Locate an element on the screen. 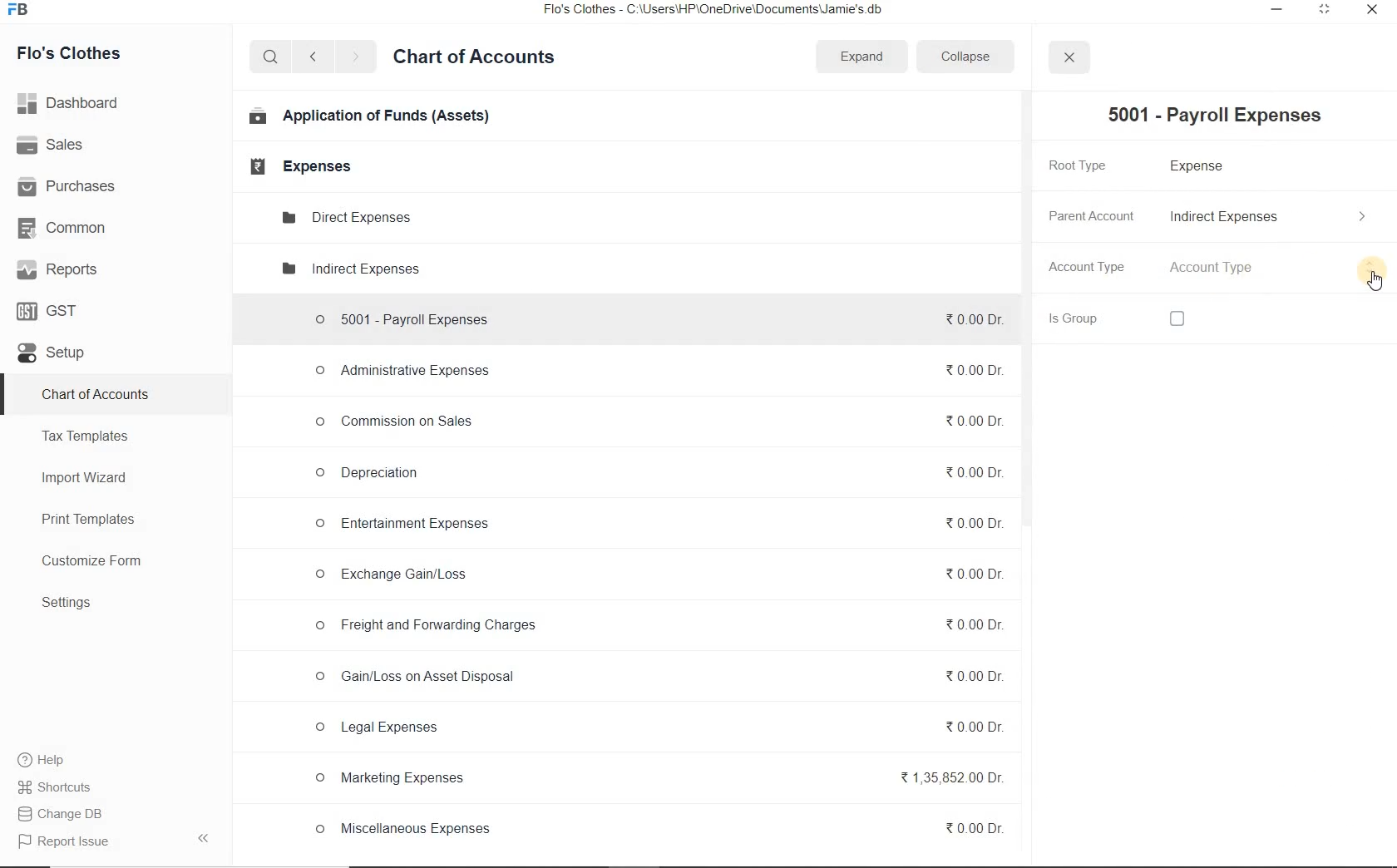 The width and height of the screenshot is (1397, 868). hide is located at coordinates (204, 838).